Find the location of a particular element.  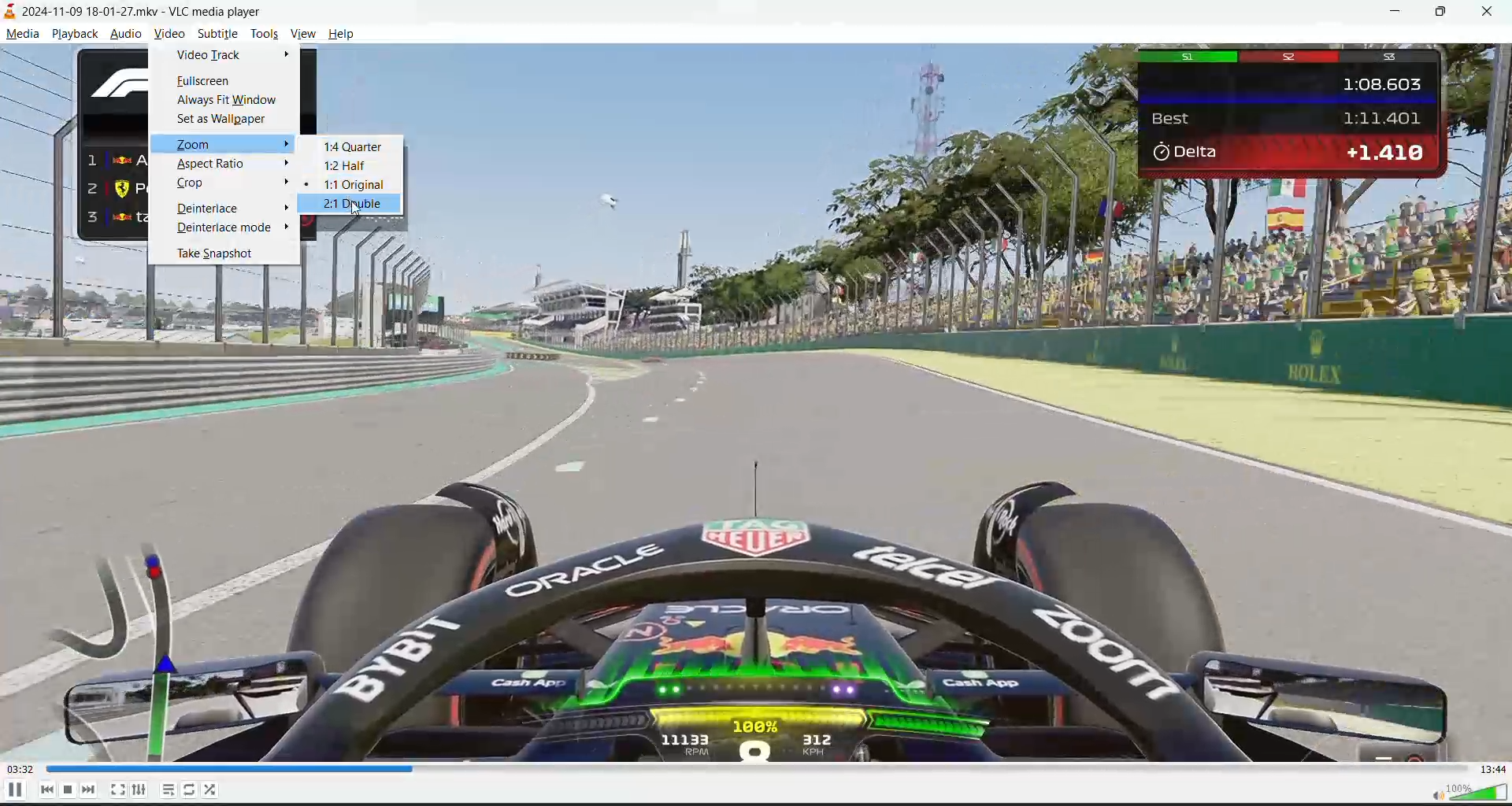

icon is located at coordinates (13, 12).